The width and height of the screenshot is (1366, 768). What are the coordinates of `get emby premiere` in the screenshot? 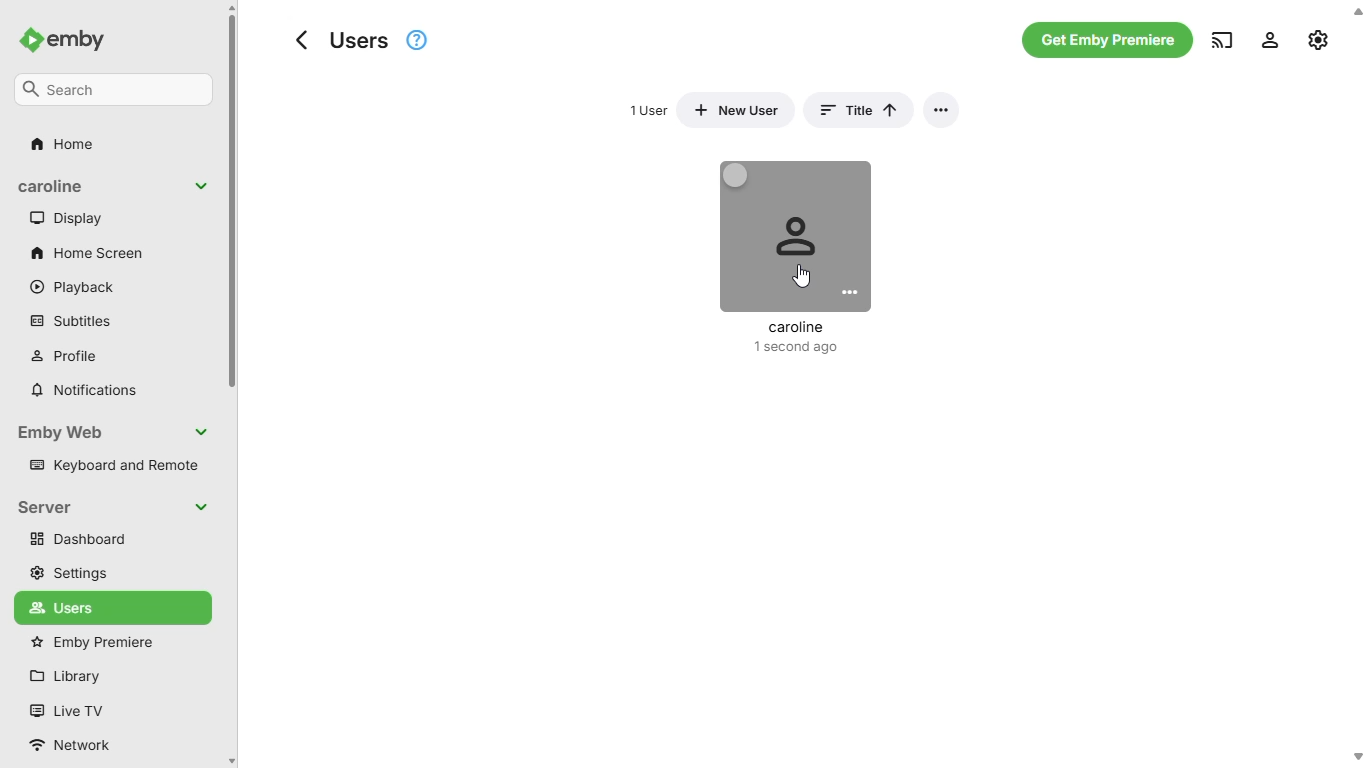 It's located at (1109, 39).